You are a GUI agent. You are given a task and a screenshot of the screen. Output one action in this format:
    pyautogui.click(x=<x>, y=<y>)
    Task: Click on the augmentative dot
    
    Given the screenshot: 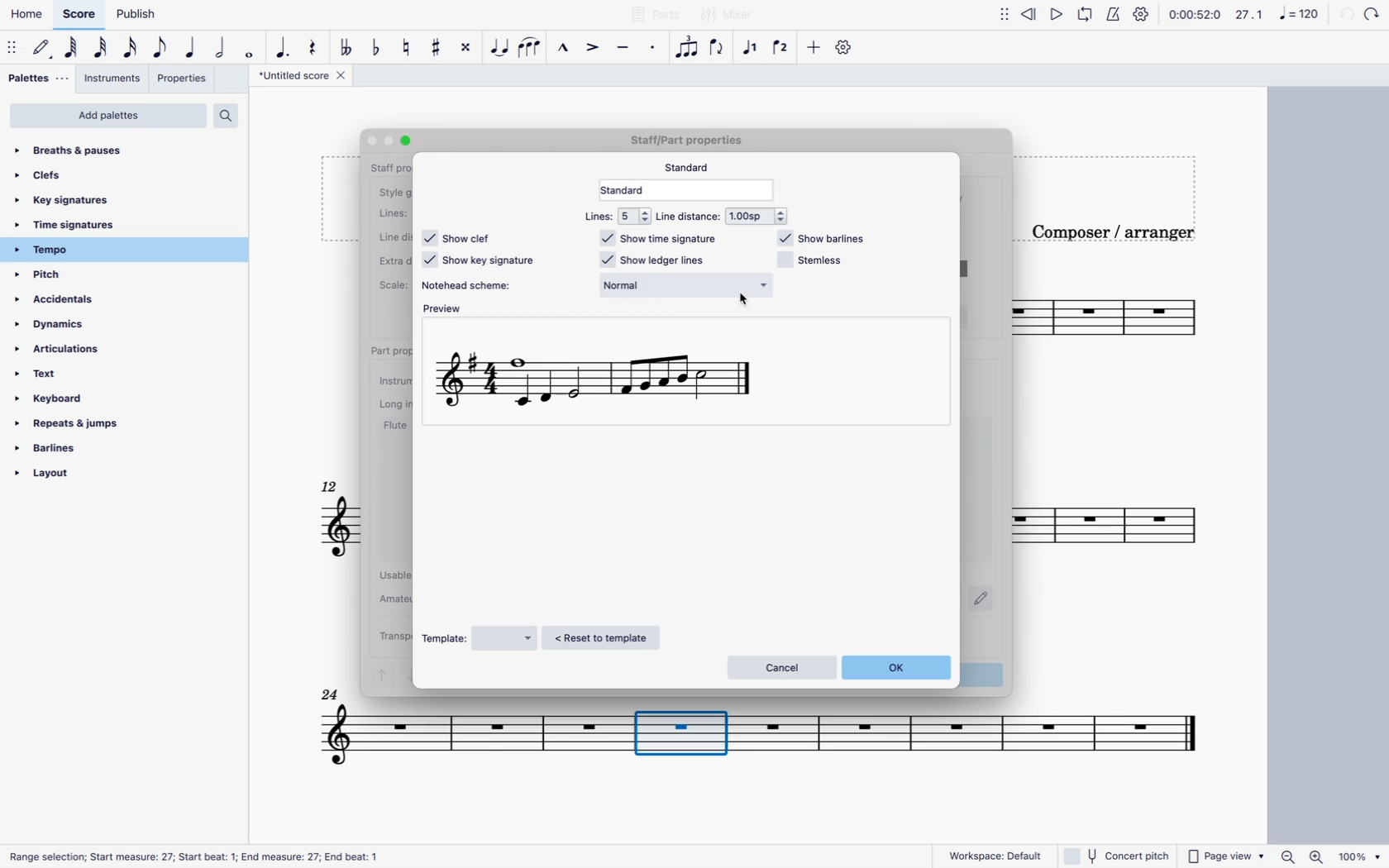 What is the action you would take?
    pyautogui.click(x=284, y=48)
    